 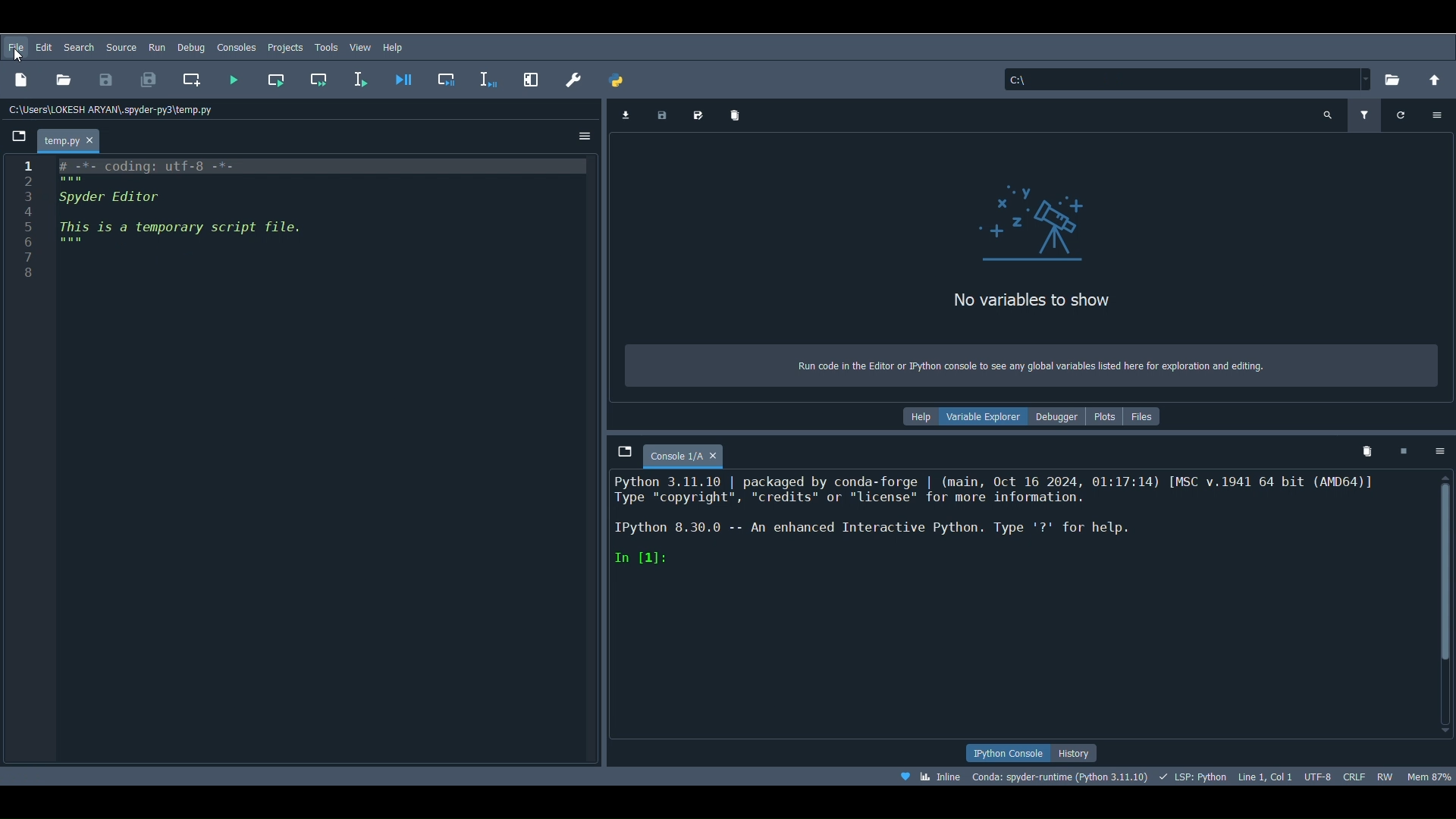 What do you see at coordinates (121, 48) in the screenshot?
I see `Search` at bounding box center [121, 48].